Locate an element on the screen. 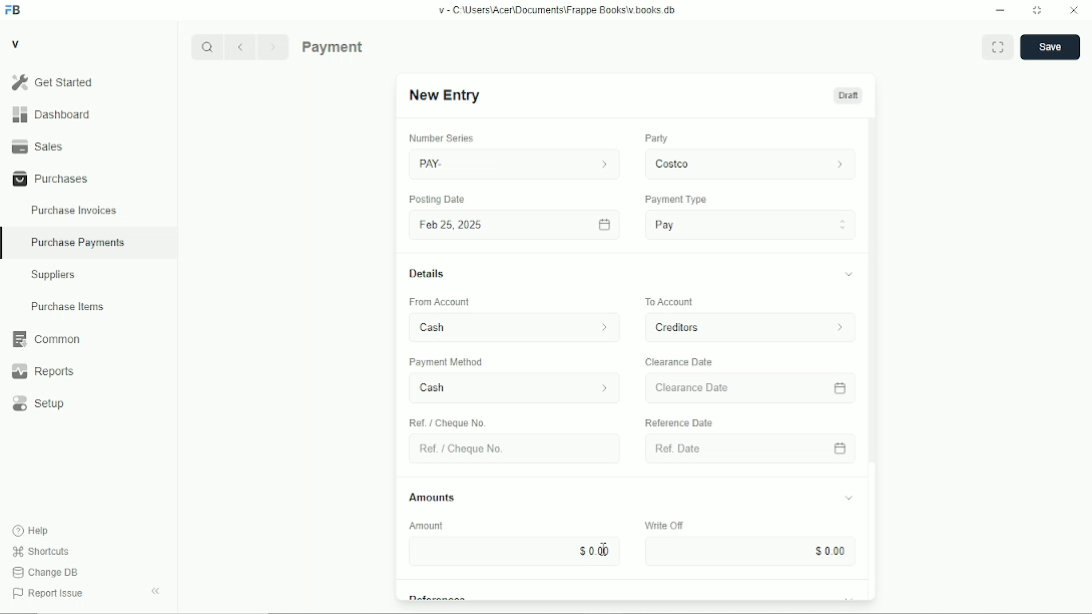 The image size is (1092, 614). Help is located at coordinates (31, 531).